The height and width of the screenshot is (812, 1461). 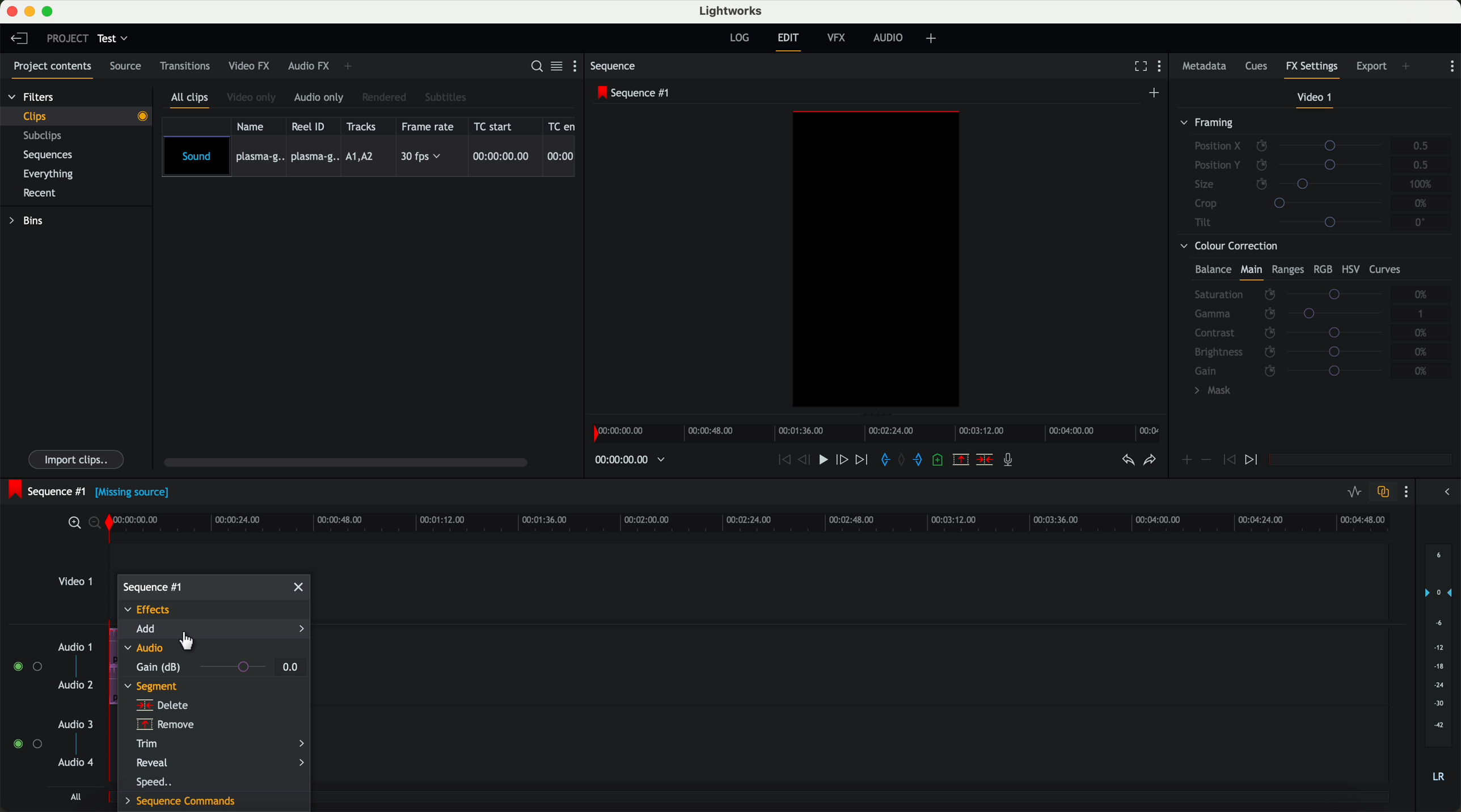 I want to click on delete/cut, so click(x=983, y=460).